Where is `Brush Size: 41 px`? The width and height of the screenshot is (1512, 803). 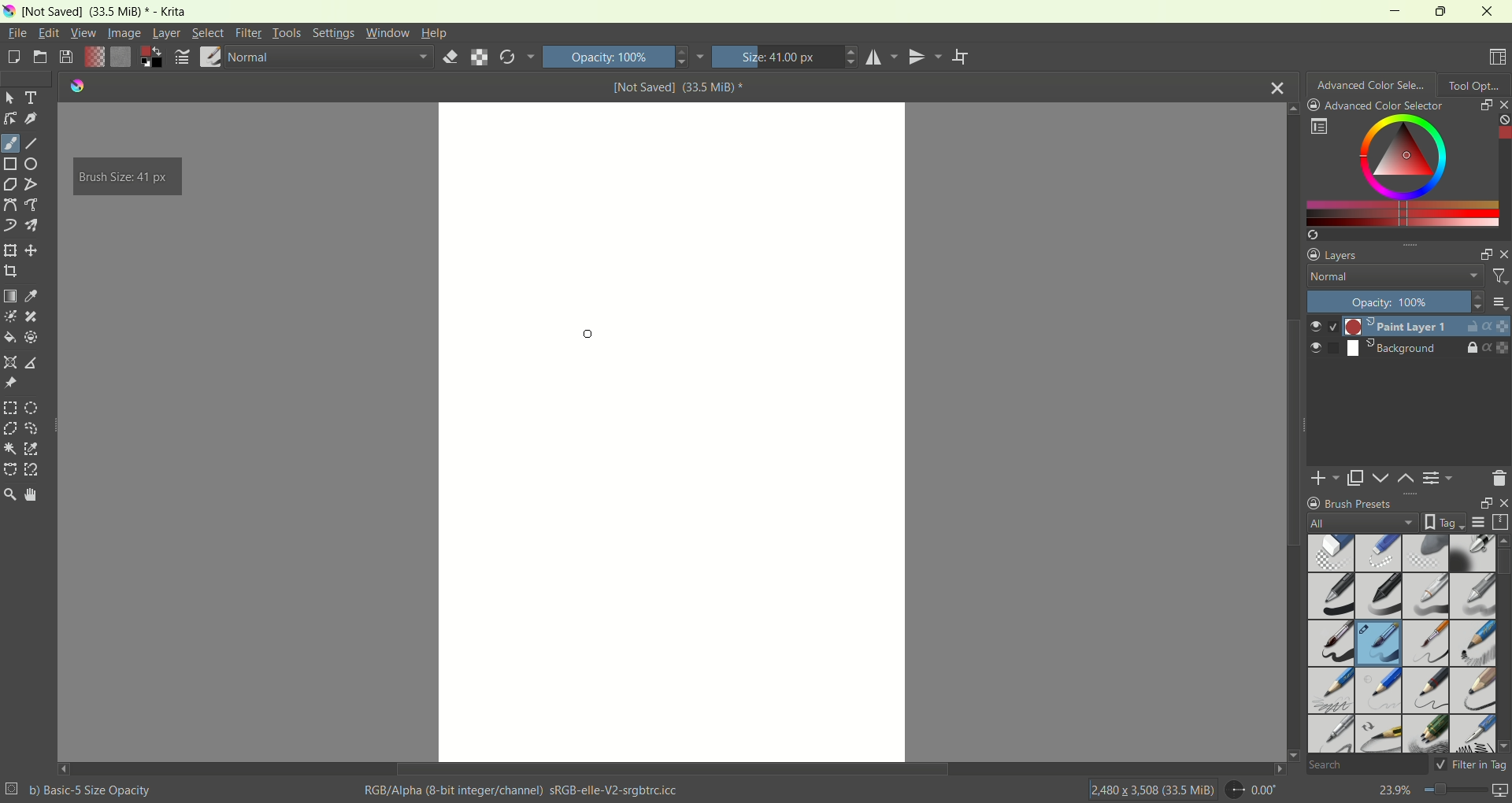 Brush Size: 41 px is located at coordinates (125, 177).